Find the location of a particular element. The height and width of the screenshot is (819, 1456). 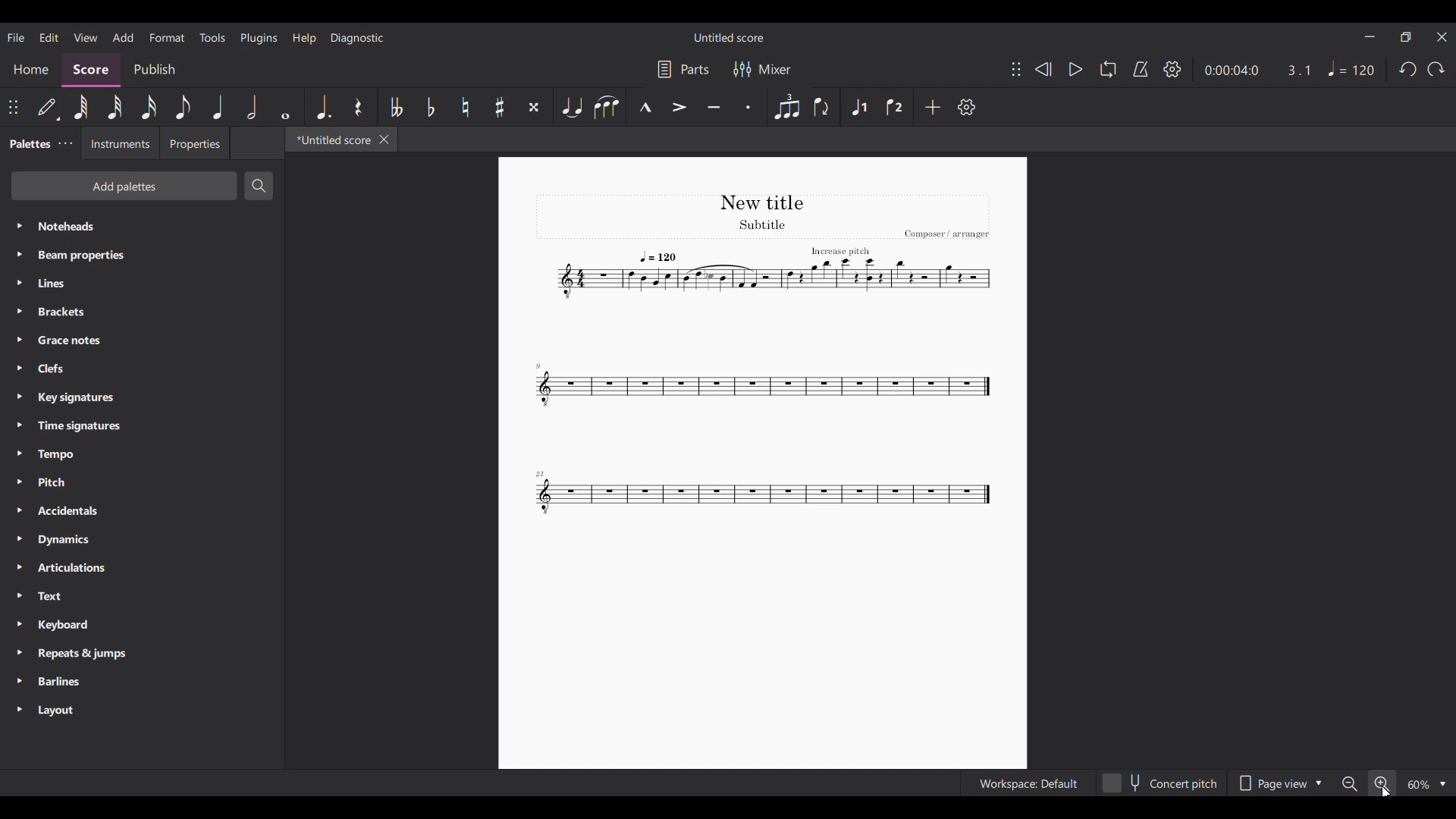

Brackets is located at coordinates (142, 312).